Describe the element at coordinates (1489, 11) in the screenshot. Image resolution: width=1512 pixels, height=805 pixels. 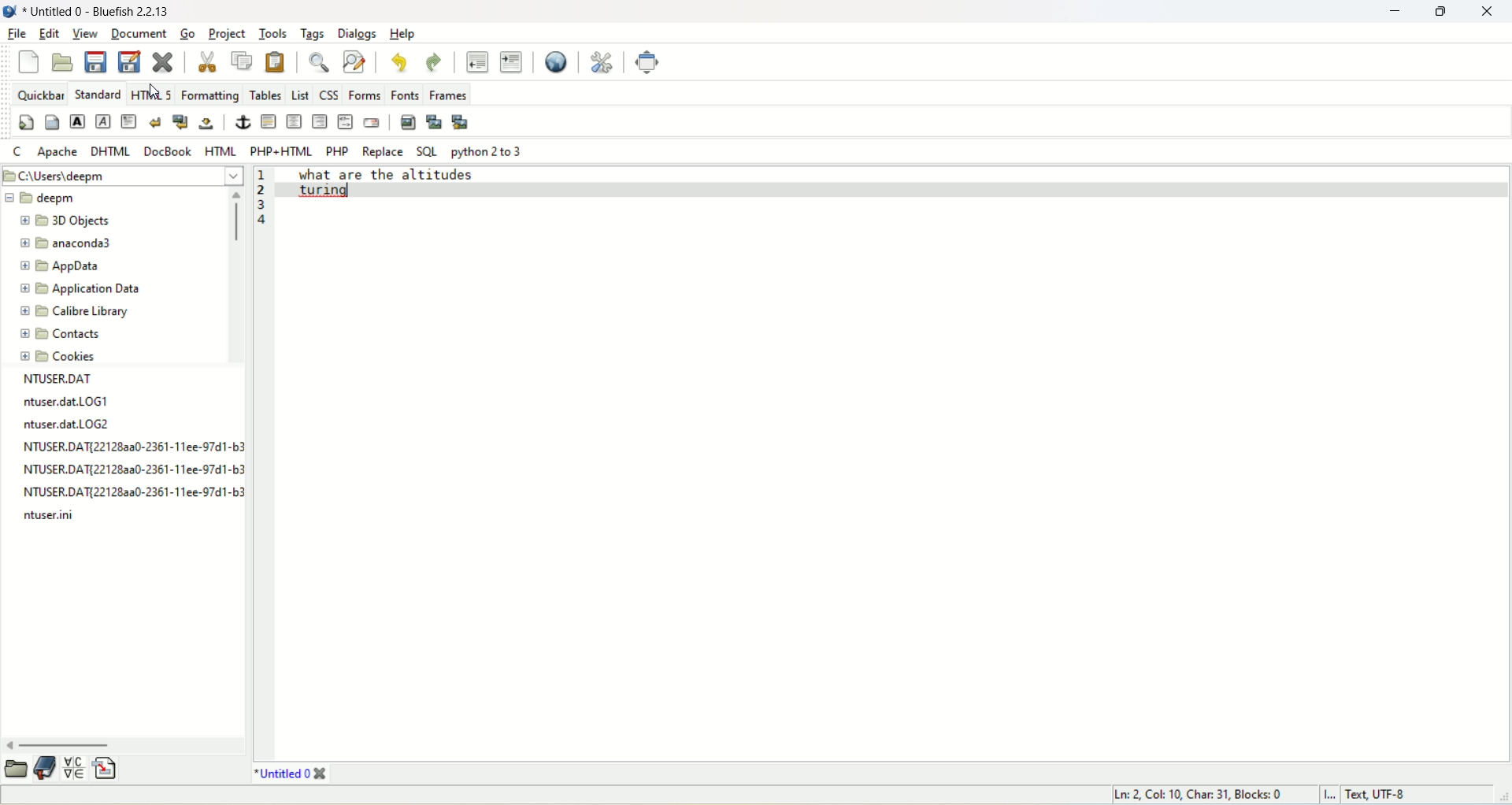
I see `close` at that location.